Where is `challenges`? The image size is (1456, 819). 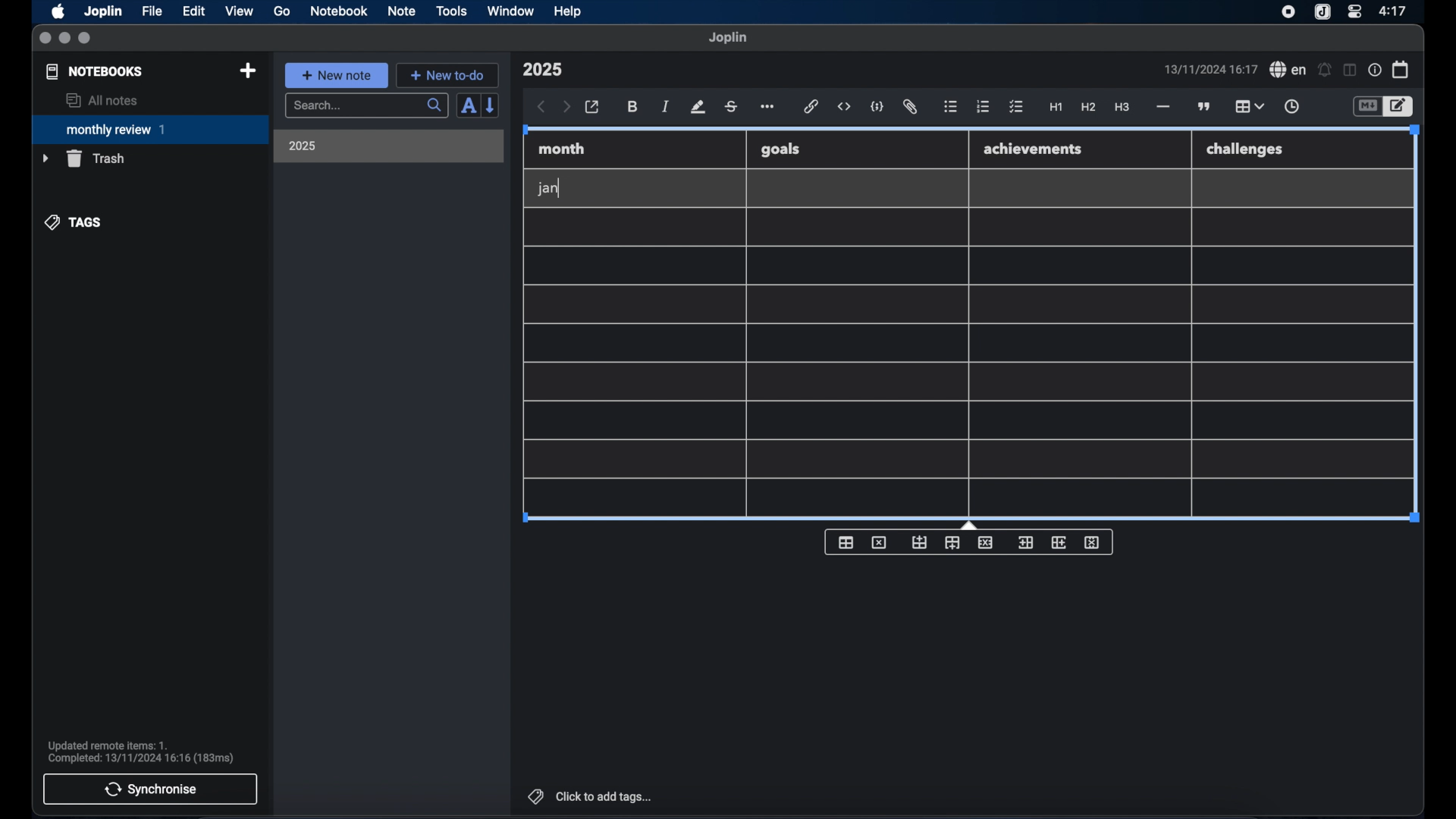
challenges is located at coordinates (1246, 150).